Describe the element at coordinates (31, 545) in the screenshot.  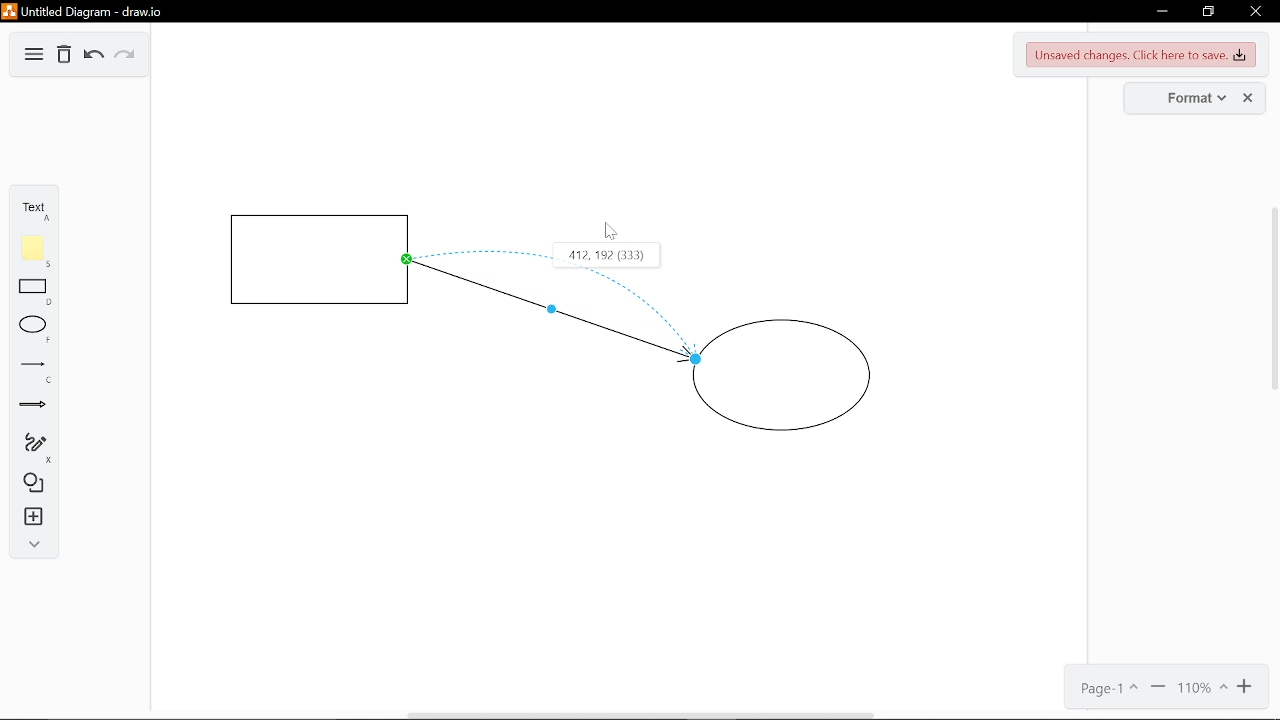
I see `Expand/Collase` at that location.